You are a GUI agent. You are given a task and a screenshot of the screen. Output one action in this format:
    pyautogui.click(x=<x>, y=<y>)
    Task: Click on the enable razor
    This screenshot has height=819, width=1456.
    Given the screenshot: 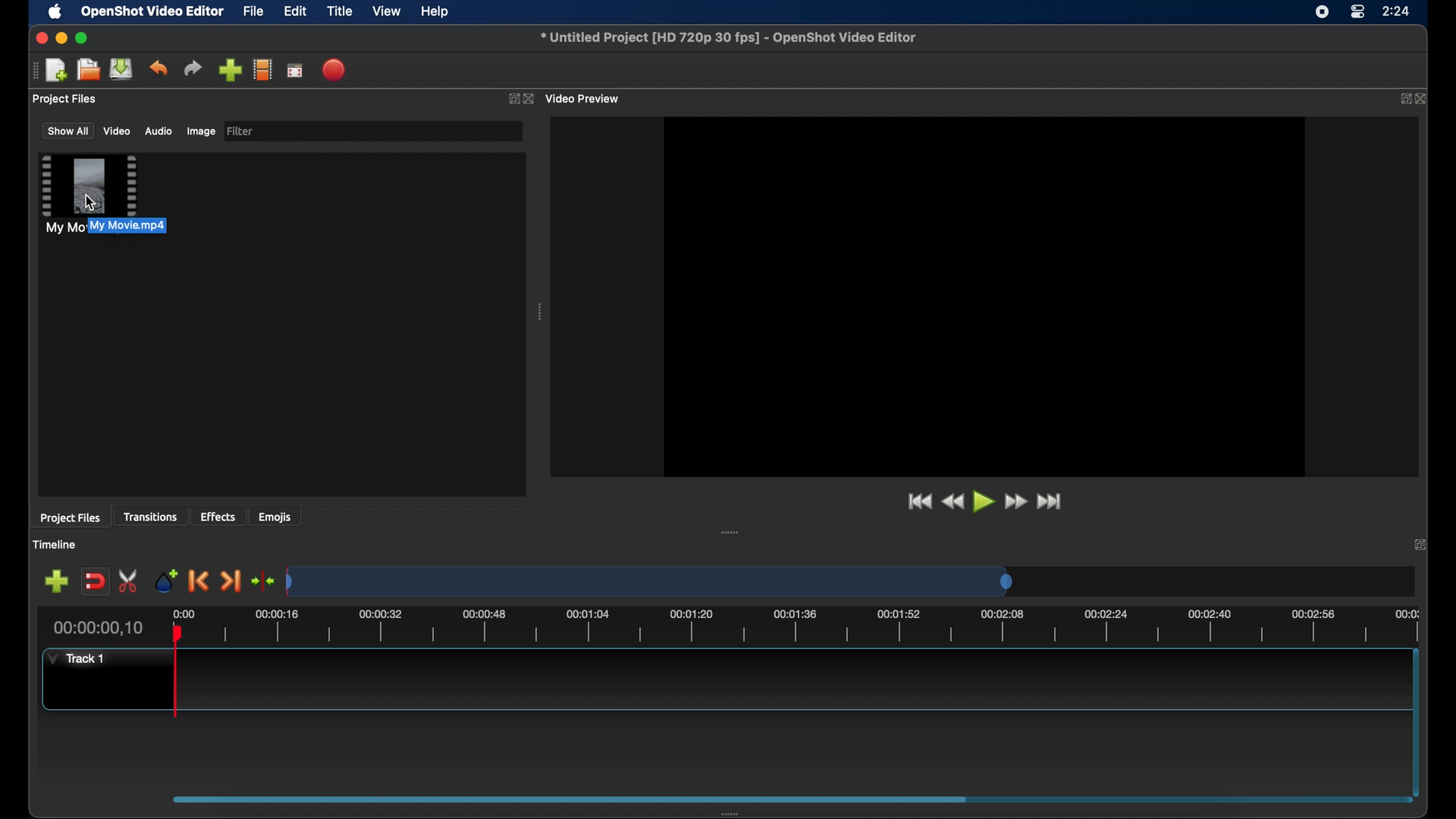 What is the action you would take?
    pyautogui.click(x=128, y=581)
    